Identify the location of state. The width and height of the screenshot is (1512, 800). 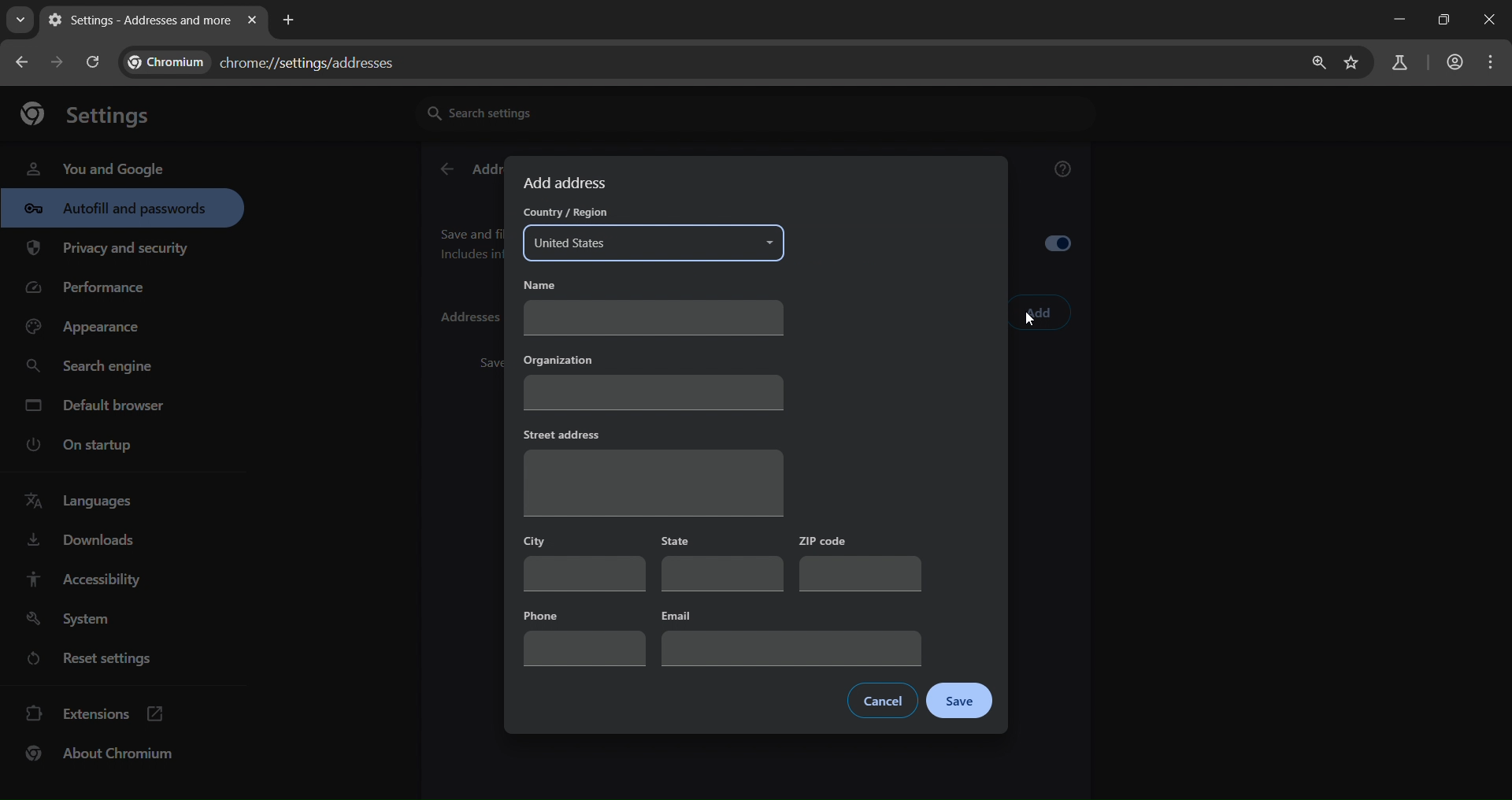
(721, 565).